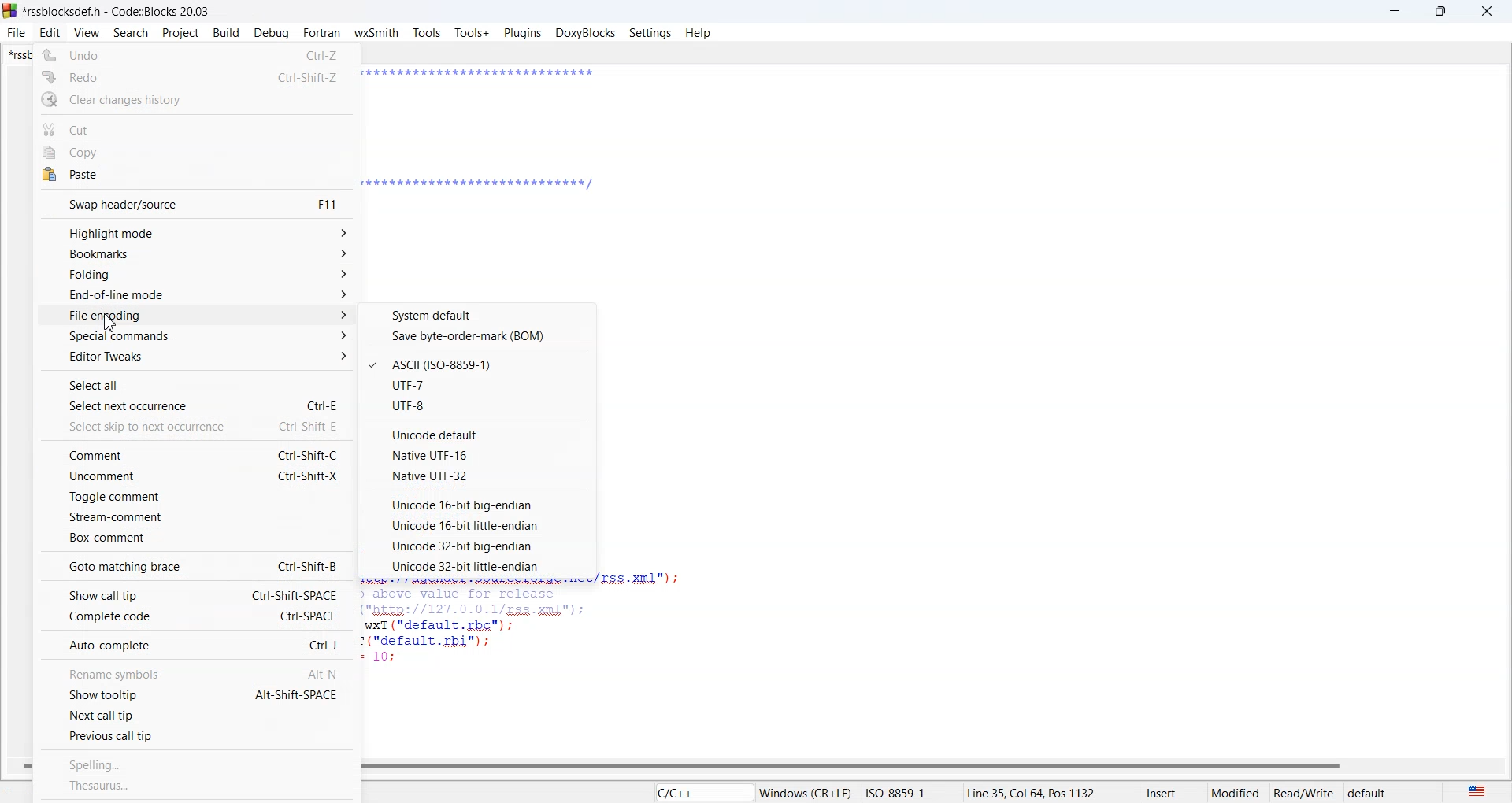  I want to click on File Encoding, so click(199, 315).